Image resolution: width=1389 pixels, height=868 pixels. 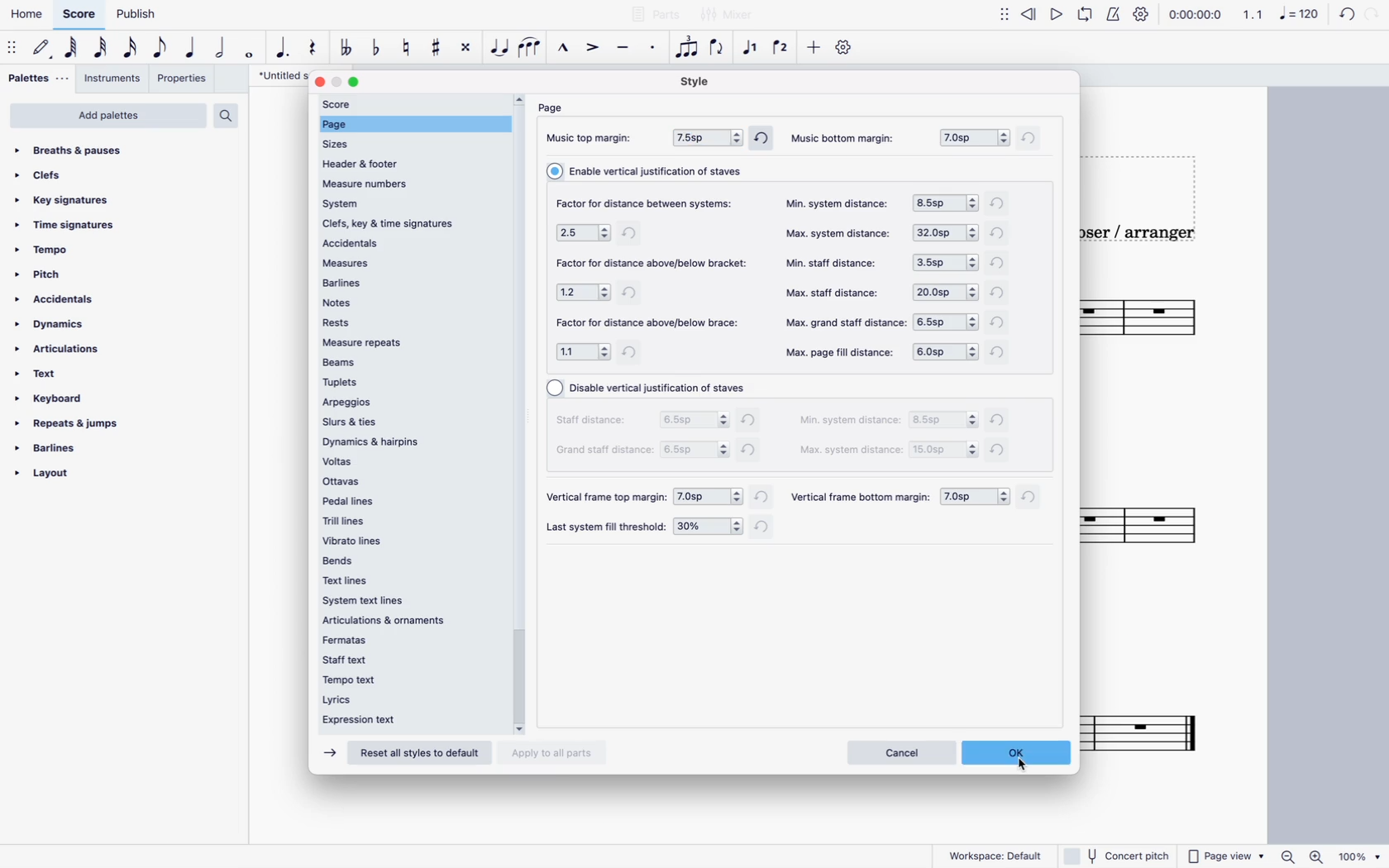 I want to click on music bottom margin, so click(x=846, y=138).